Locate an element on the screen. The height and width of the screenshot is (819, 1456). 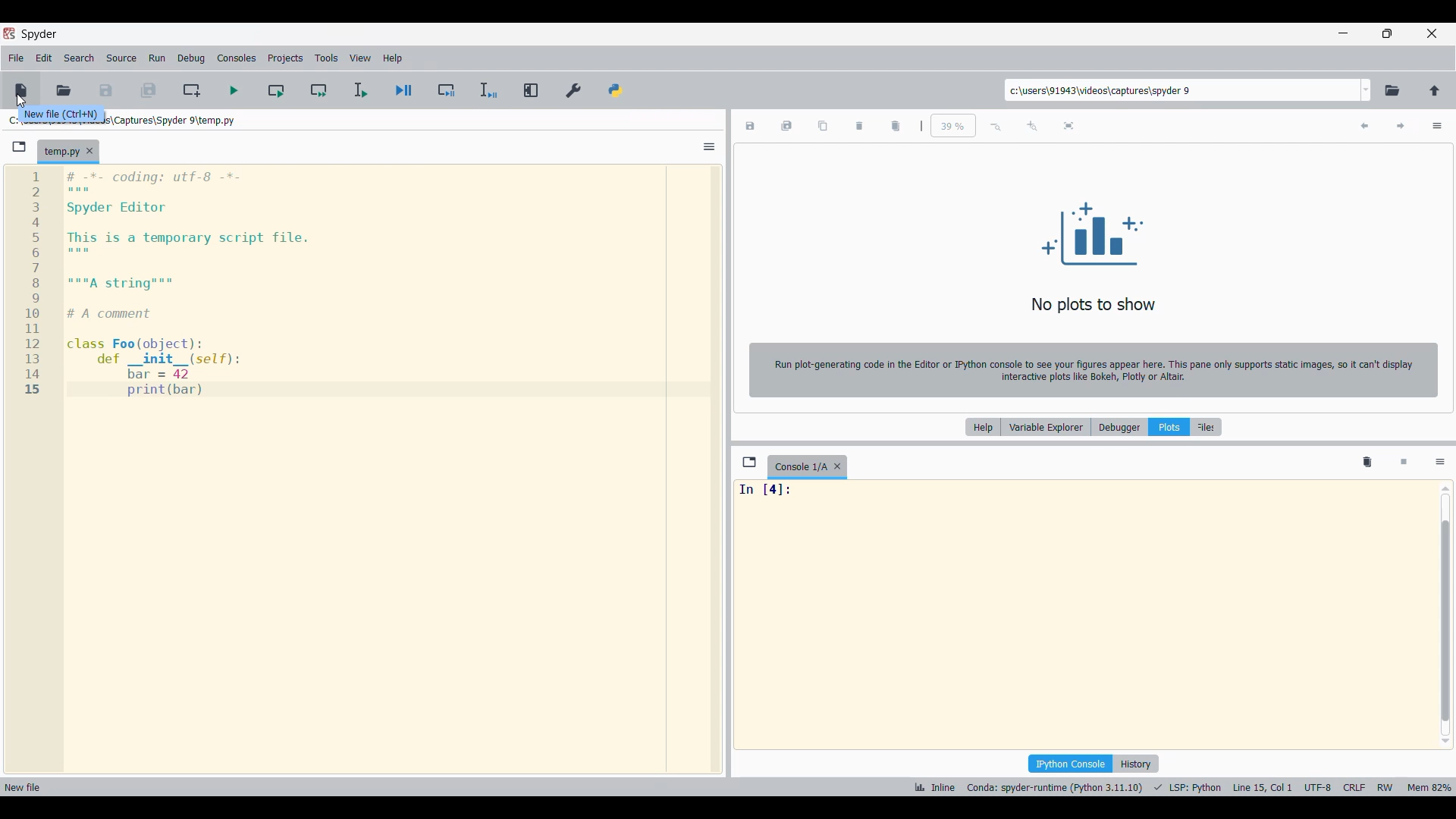
History is located at coordinates (1136, 764).